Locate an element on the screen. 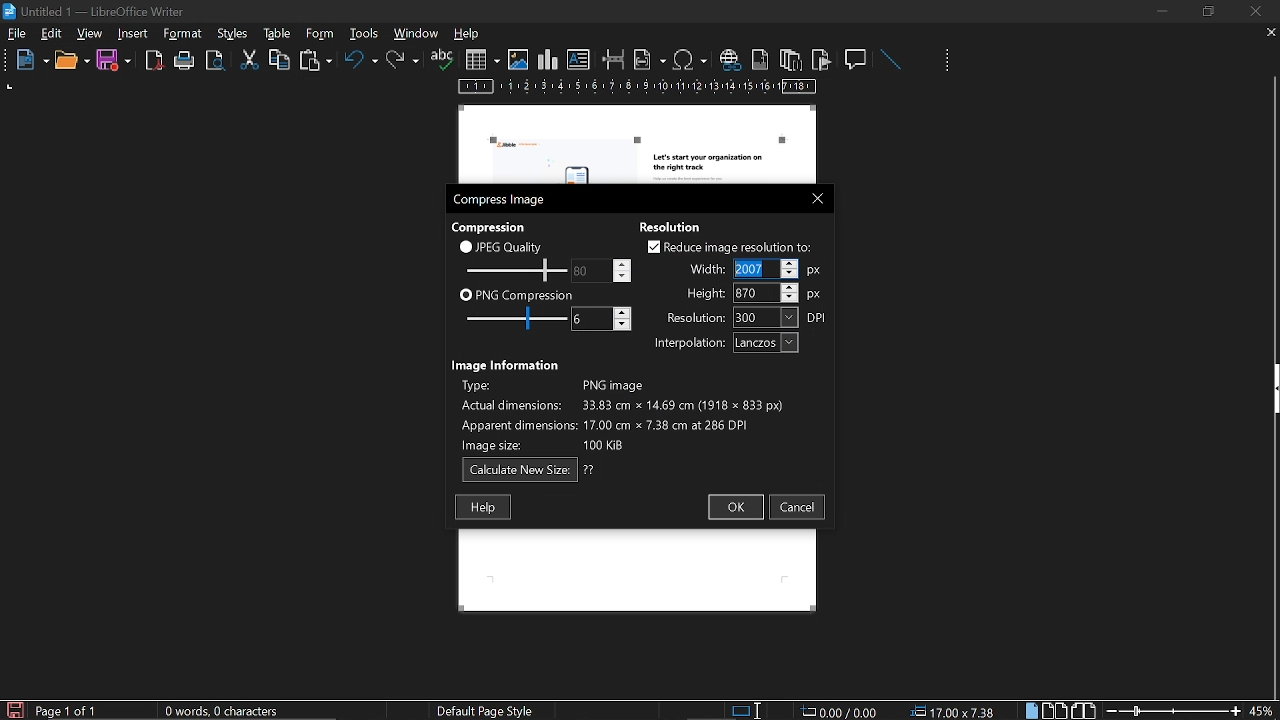 The height and width of the screenshot is (720, 1280). change jpeg quality  is located at coordinates (602, 270).